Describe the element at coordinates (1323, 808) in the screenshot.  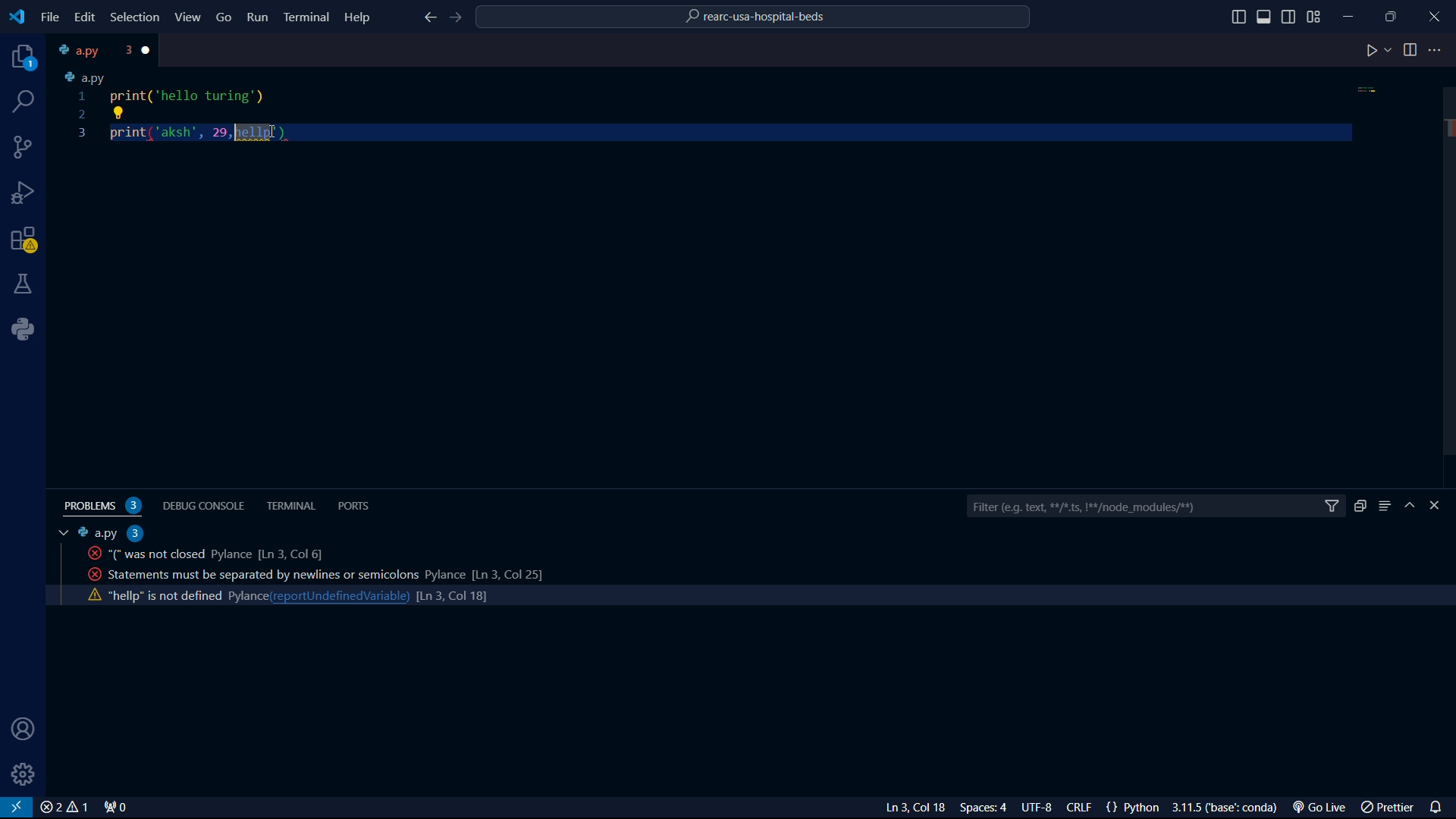
I see `Go Live` at that location.